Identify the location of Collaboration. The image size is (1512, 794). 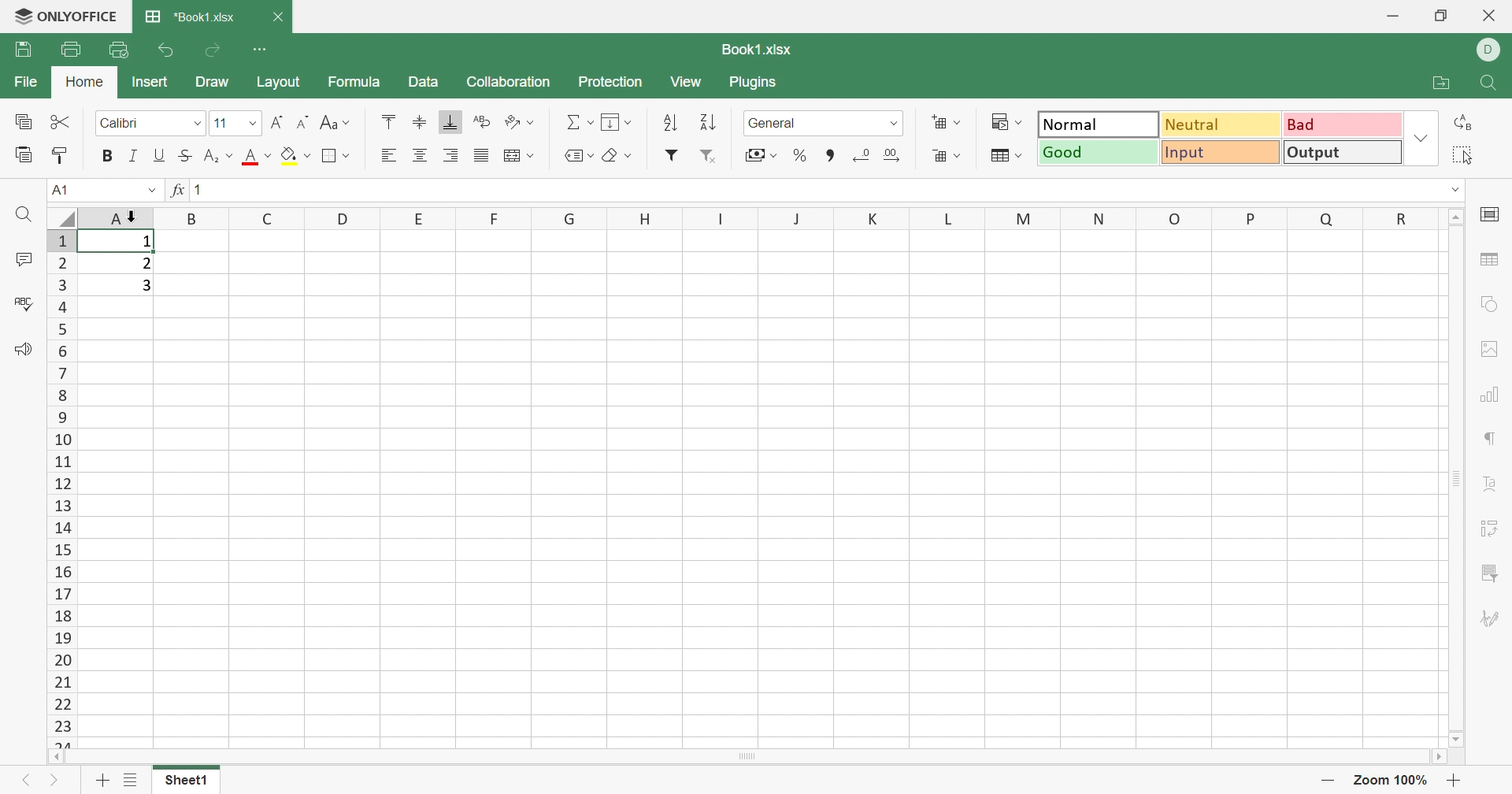
(510, 82).